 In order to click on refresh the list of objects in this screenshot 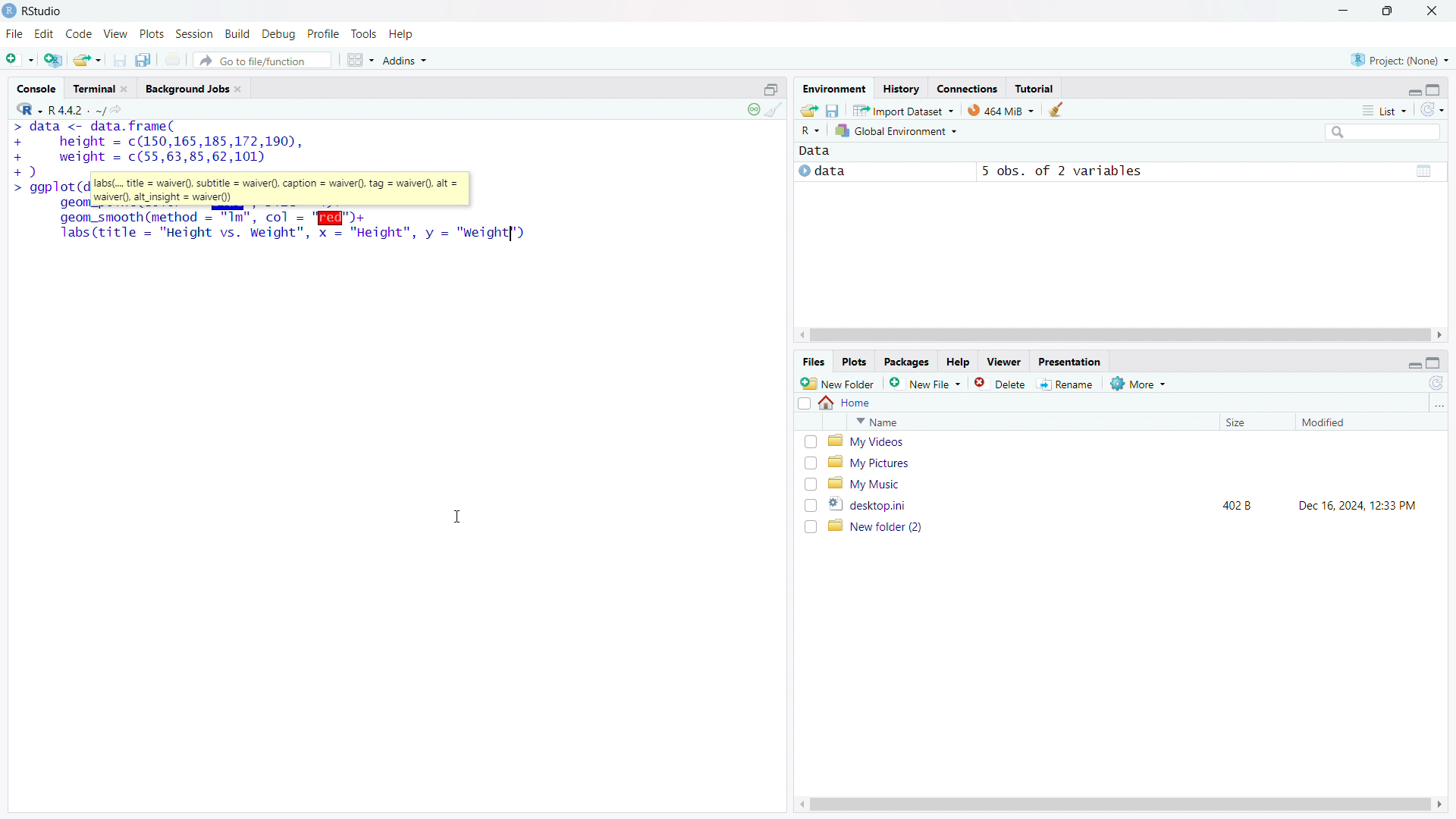, I will do `click(1432, 109)`.